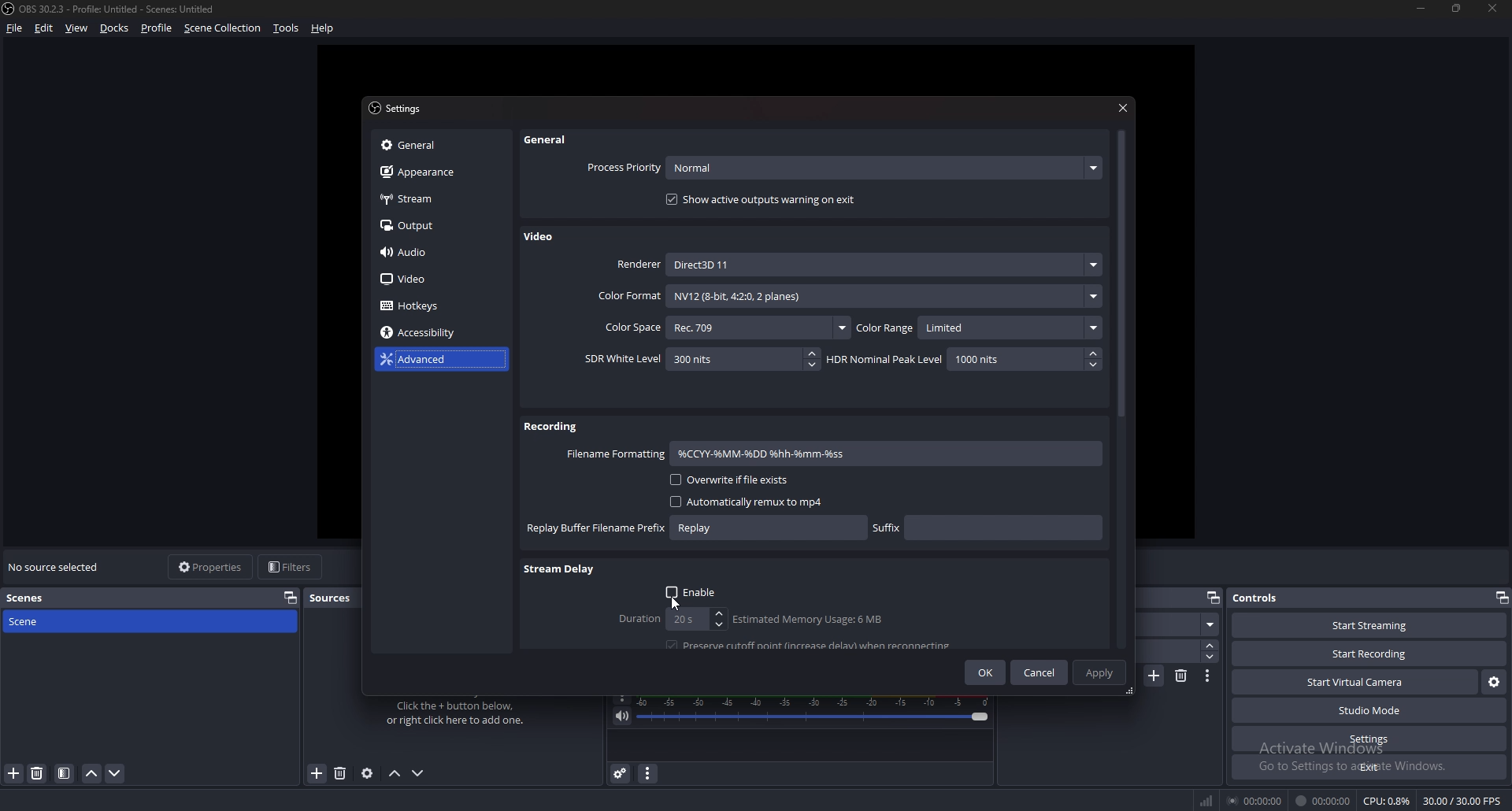 The image size is (1512, 811). What do you see at coordinates (400, 109) in the screenshot?
I see `settings` at bounding box center [400, 109].